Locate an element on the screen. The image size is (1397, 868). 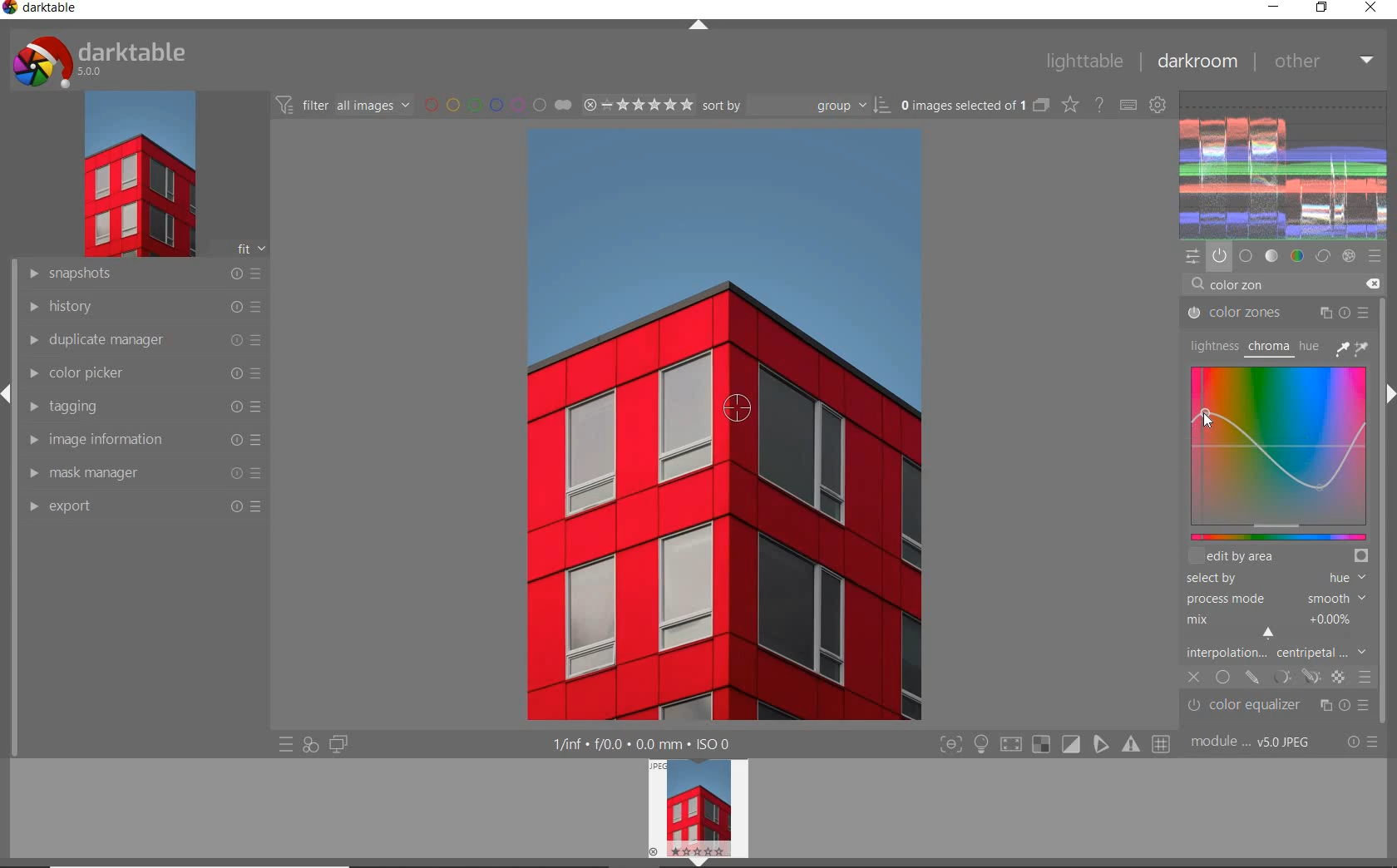
soft proofing is located at coordinates (1072, 744).